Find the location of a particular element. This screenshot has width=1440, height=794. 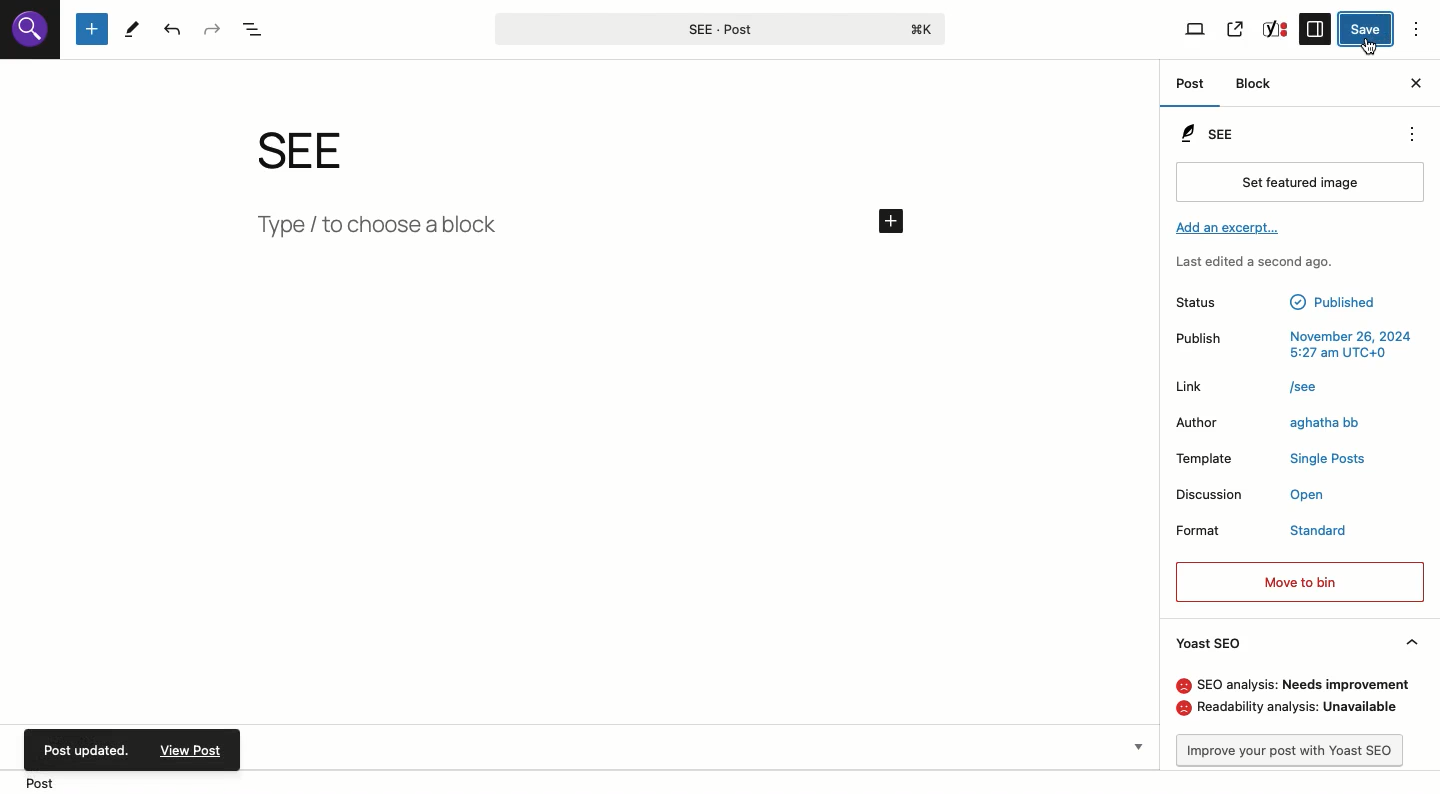

View post is located at coordinates (1237, 27).